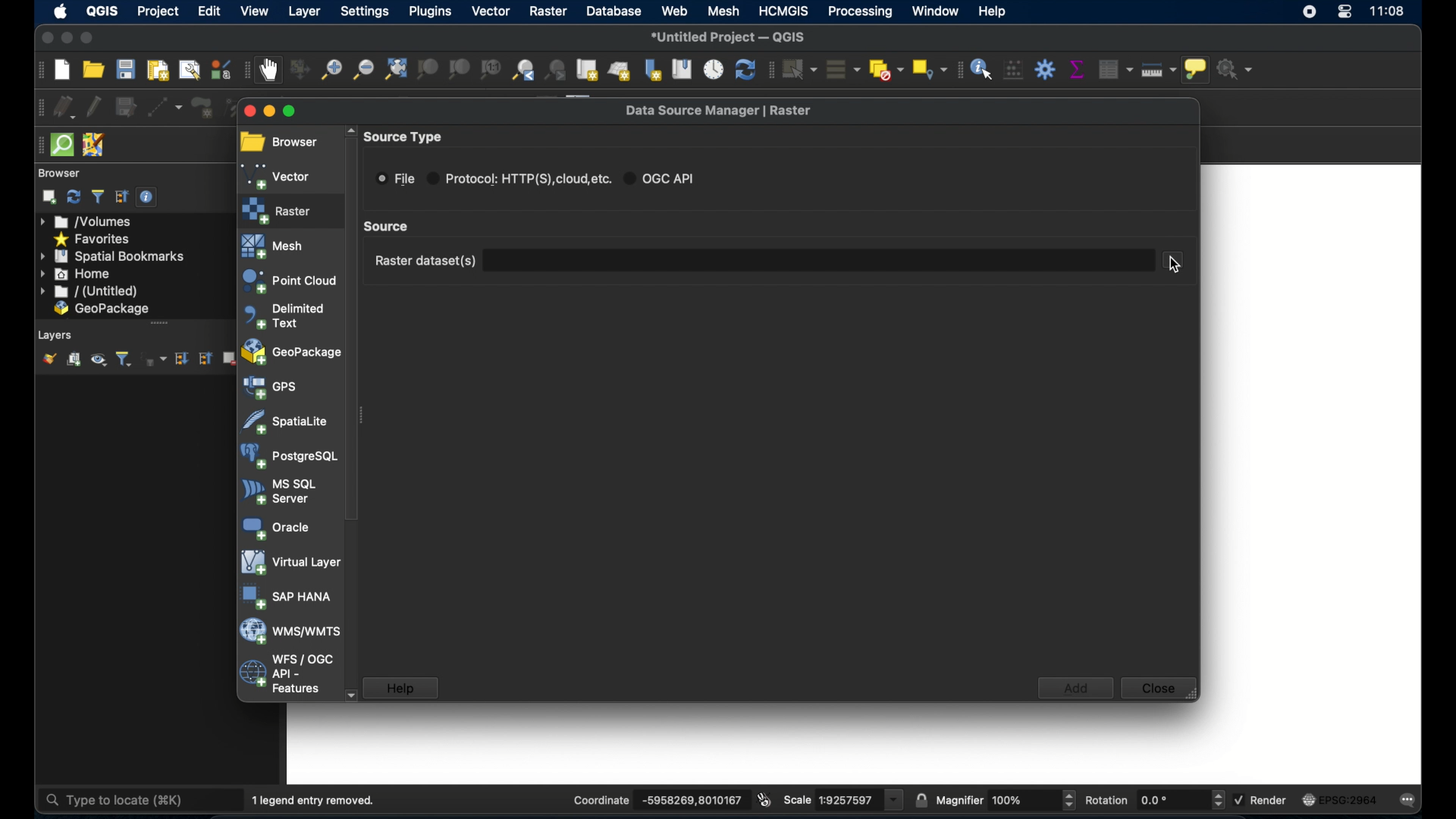  I want to click on browser, so click(283, 138).